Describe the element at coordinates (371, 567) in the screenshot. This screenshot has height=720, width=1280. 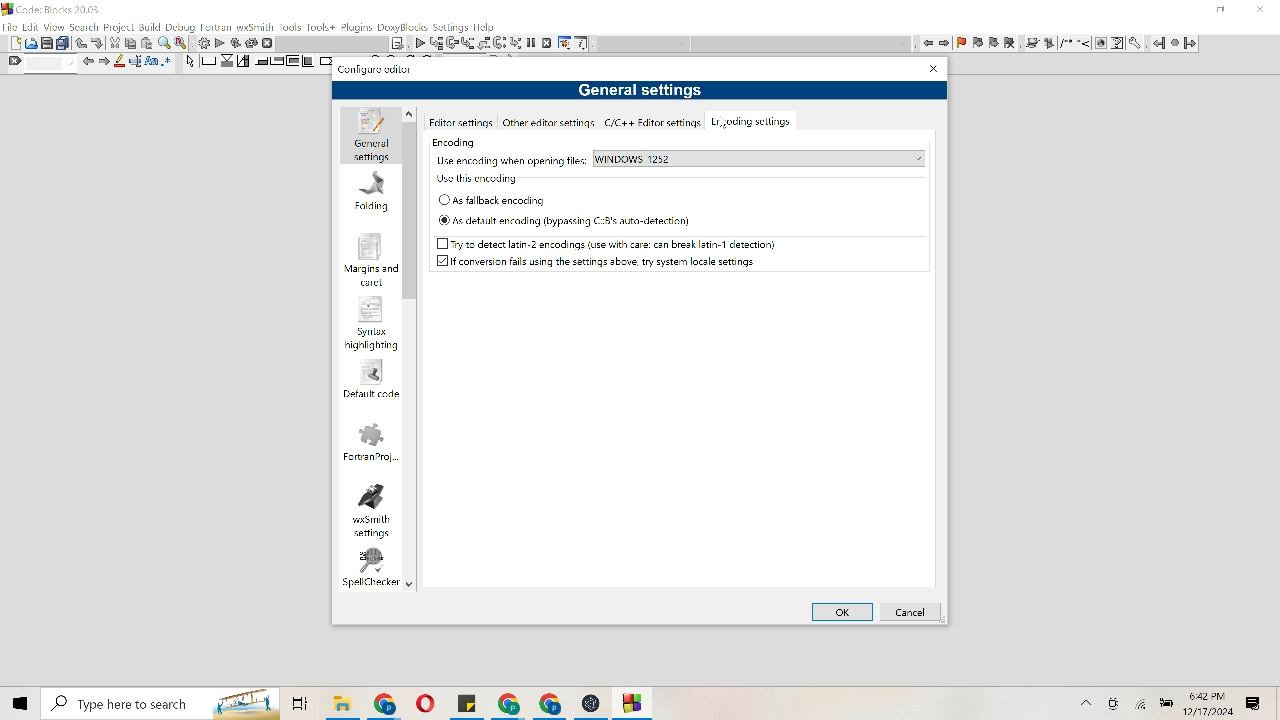
I see `spell checker` at that location.